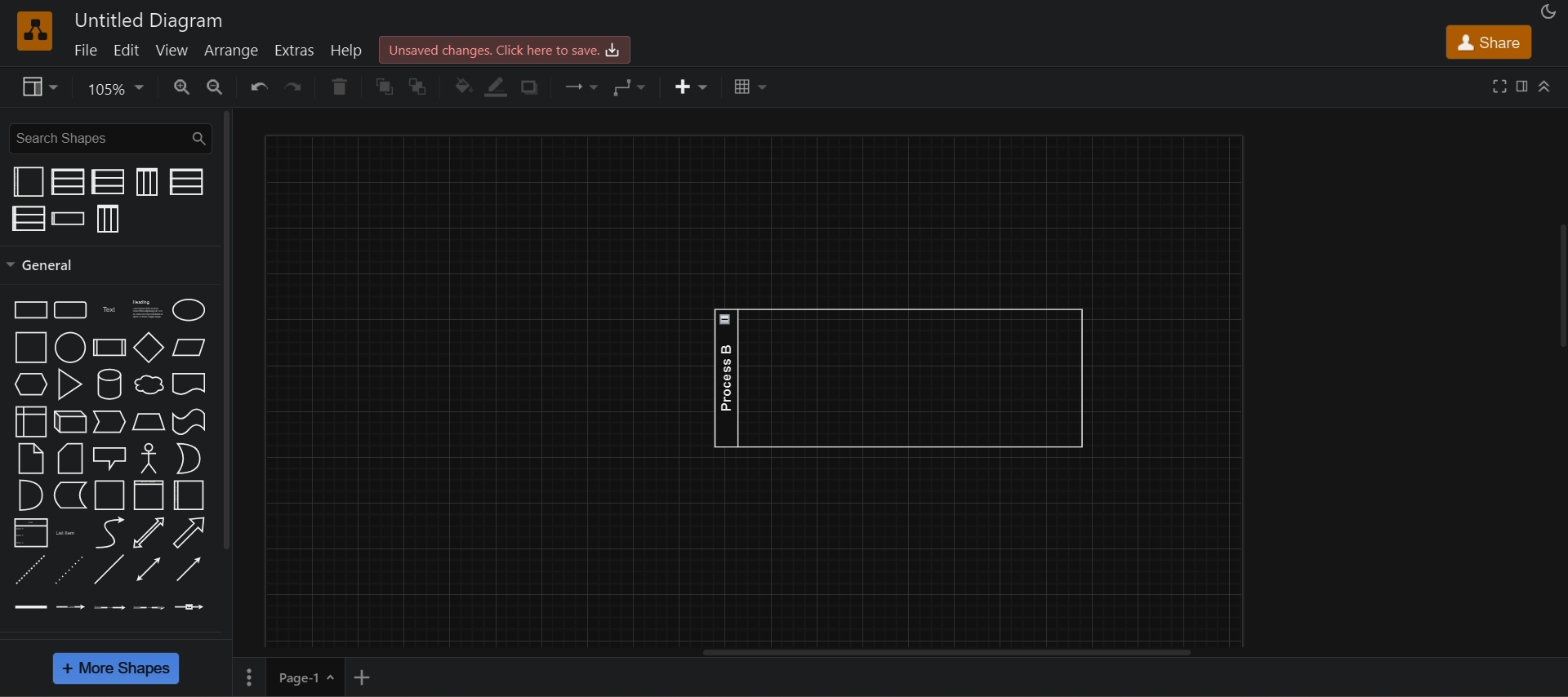  I want to click on arrow, so click(190, 532).